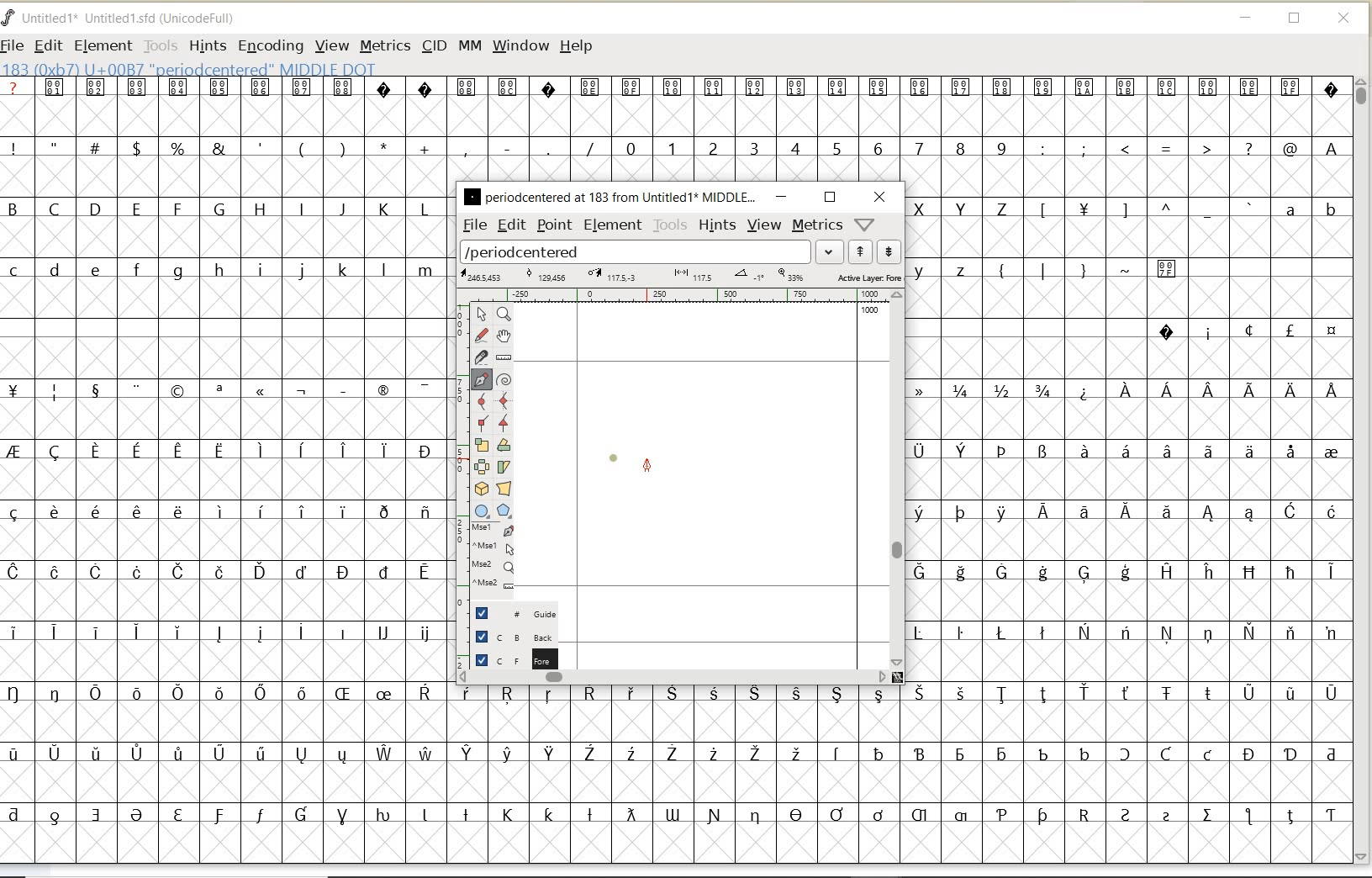  What do you see at coordinates (503, 336) in the screenshot?
I see `scroll by hand` at bounding box center [503, 336].